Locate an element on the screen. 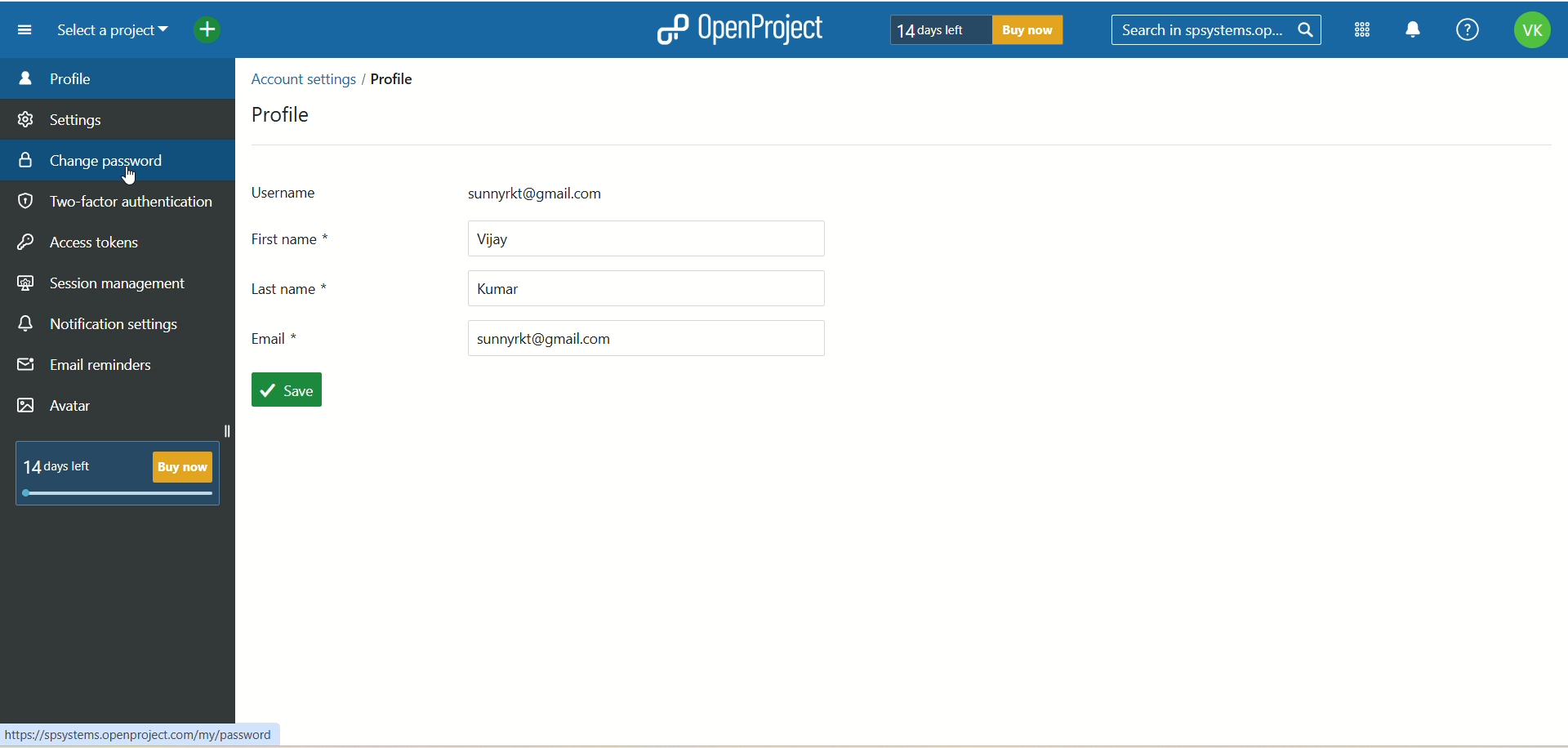  search is located at coordinates (1219, 31).